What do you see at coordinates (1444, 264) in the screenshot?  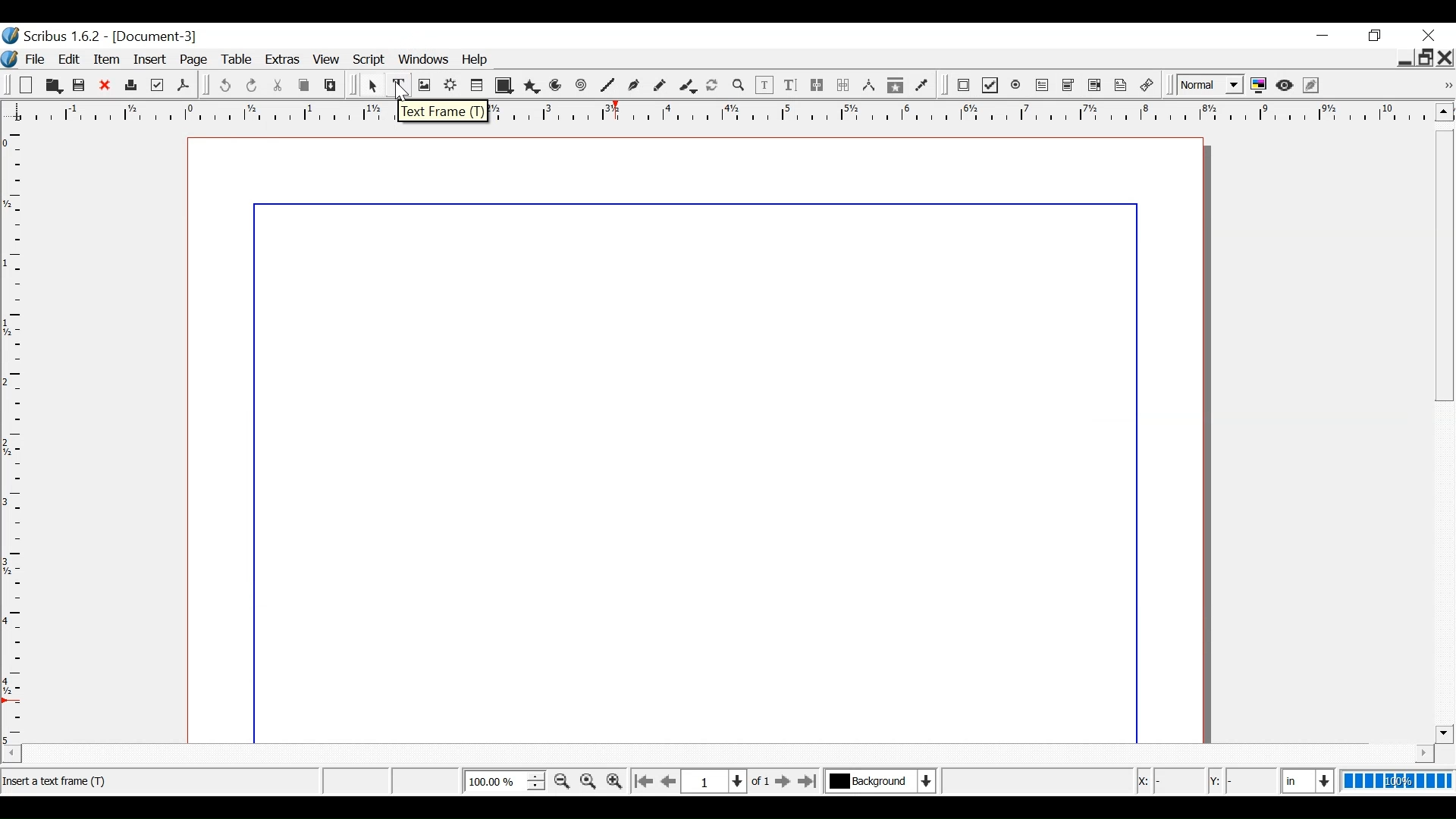 I see `Vertical Scroll bar` at bounding box center [1444, 264].